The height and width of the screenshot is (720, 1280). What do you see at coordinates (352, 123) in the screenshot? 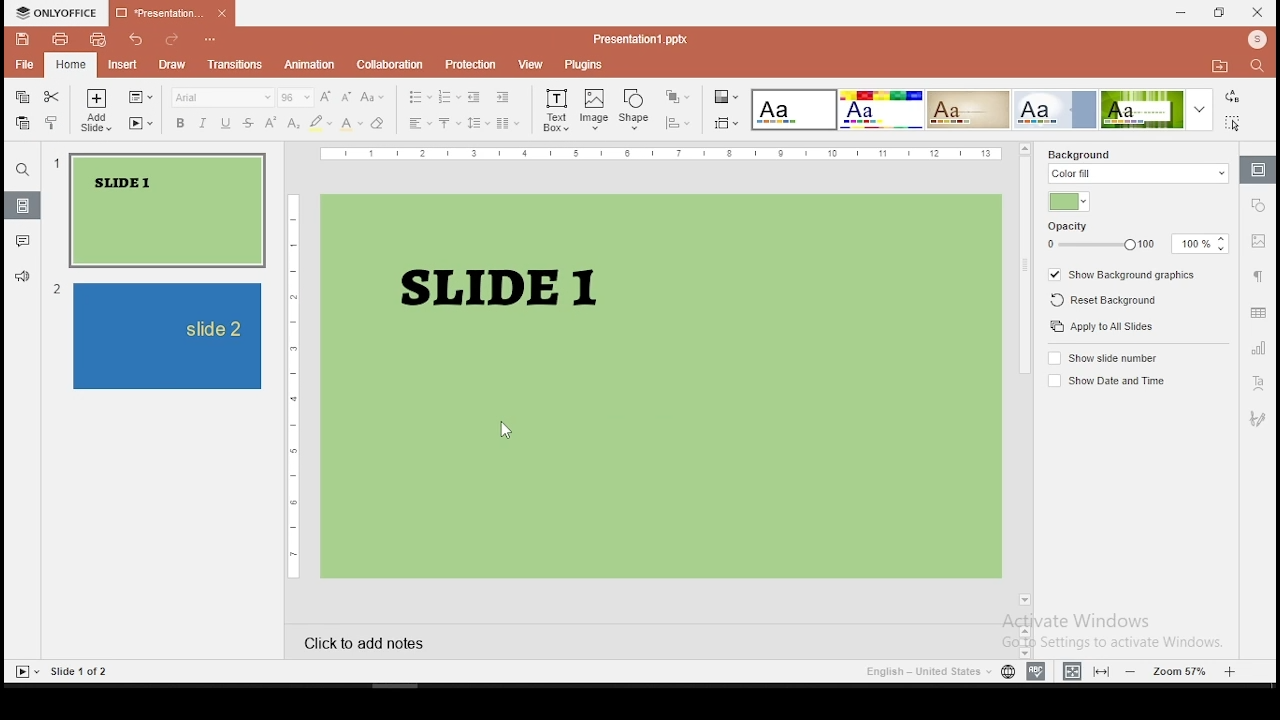
I see `font color` at bounding box center [352, 123].